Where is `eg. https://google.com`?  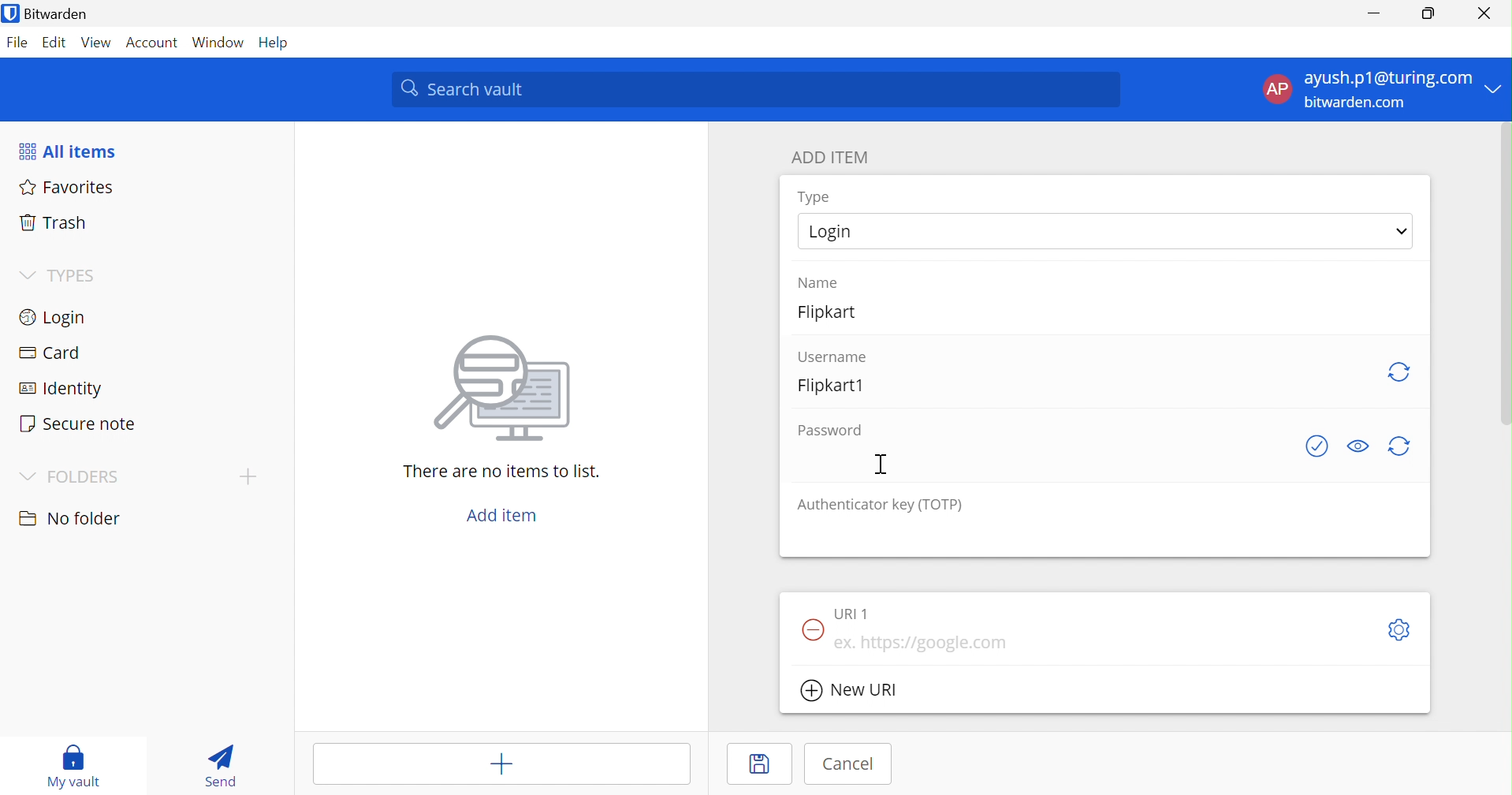
eg. https://google.com is located at coordinates (922, 644).